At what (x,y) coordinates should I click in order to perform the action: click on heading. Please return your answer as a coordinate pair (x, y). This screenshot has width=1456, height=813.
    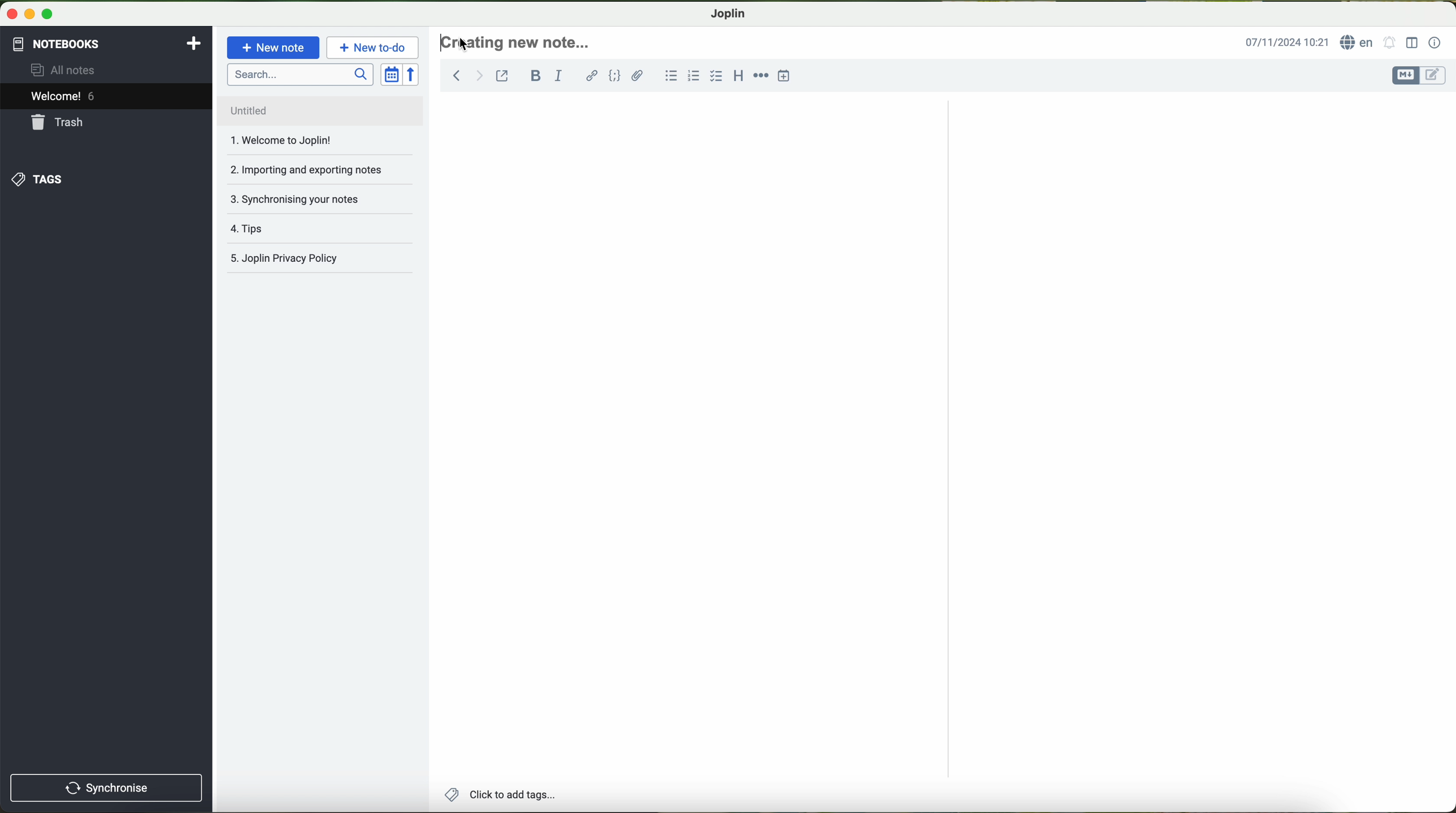
    Looking at the image, I should click on (737, 75).